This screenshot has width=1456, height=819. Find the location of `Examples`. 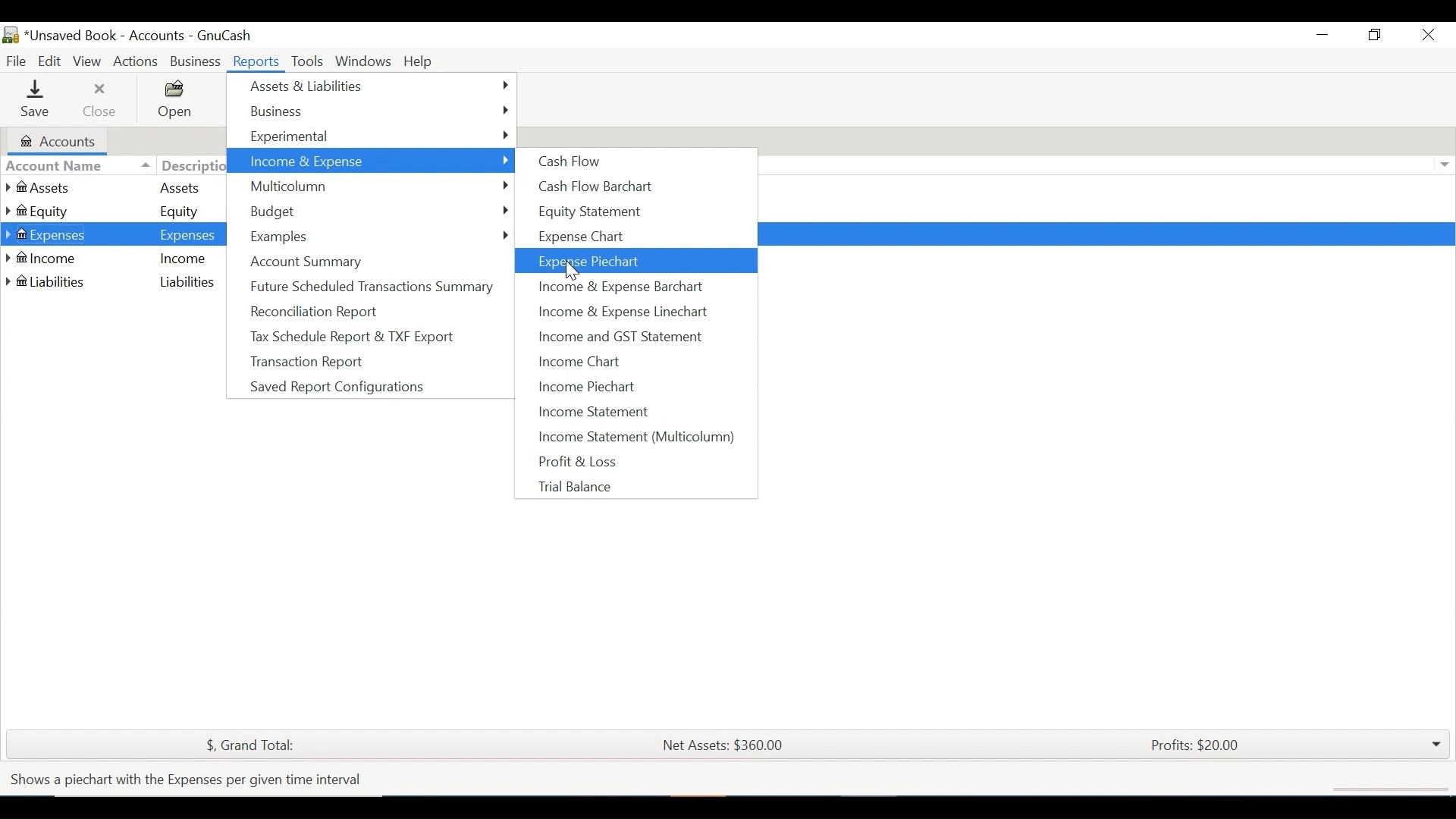

Examples is located at coordinates (372, 237).